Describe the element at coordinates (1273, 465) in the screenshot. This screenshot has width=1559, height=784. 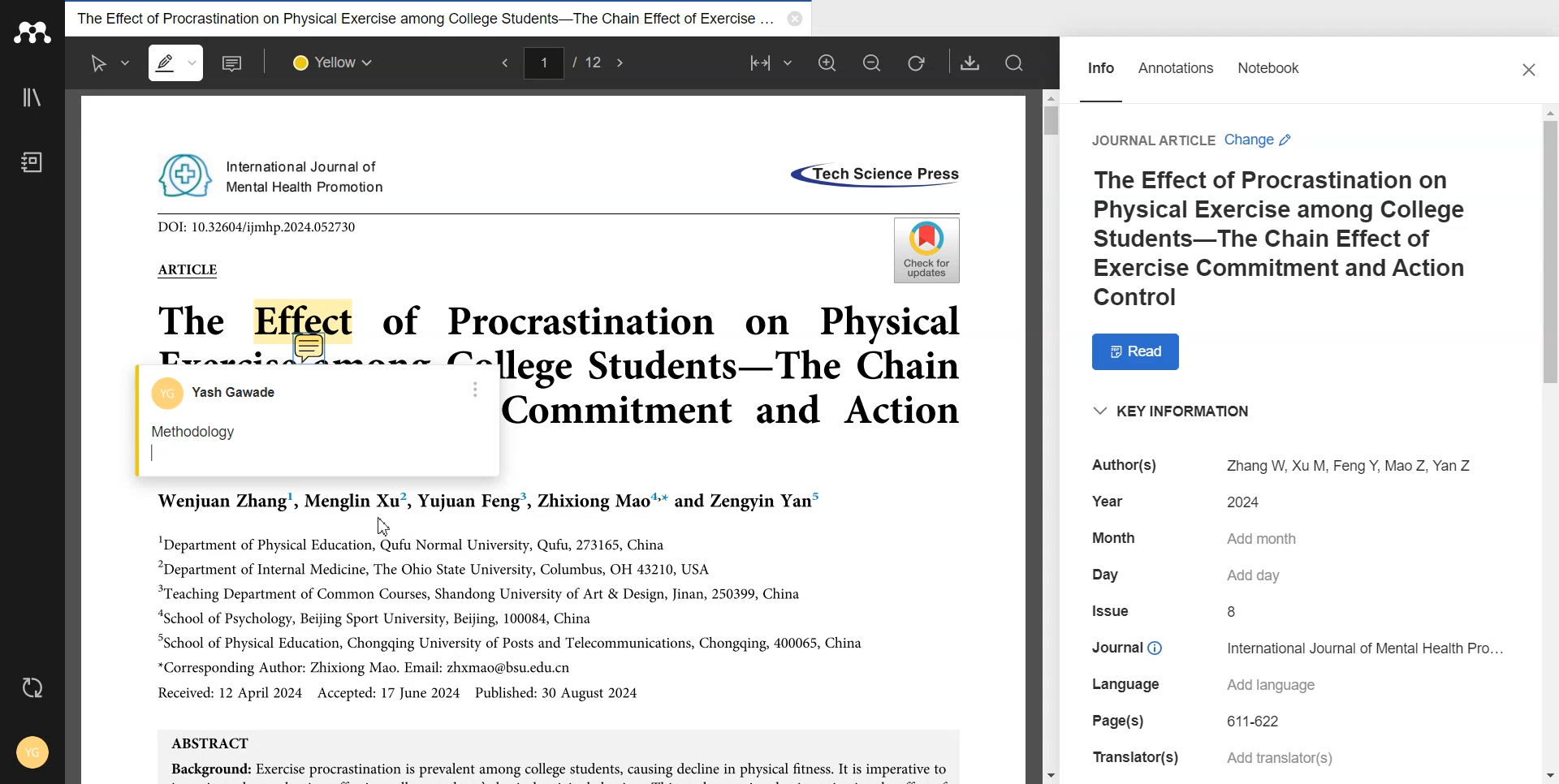
I see `Author(s) Zhang W, Xu M, Feng Y, Mao Z, Yan Z` at that location.